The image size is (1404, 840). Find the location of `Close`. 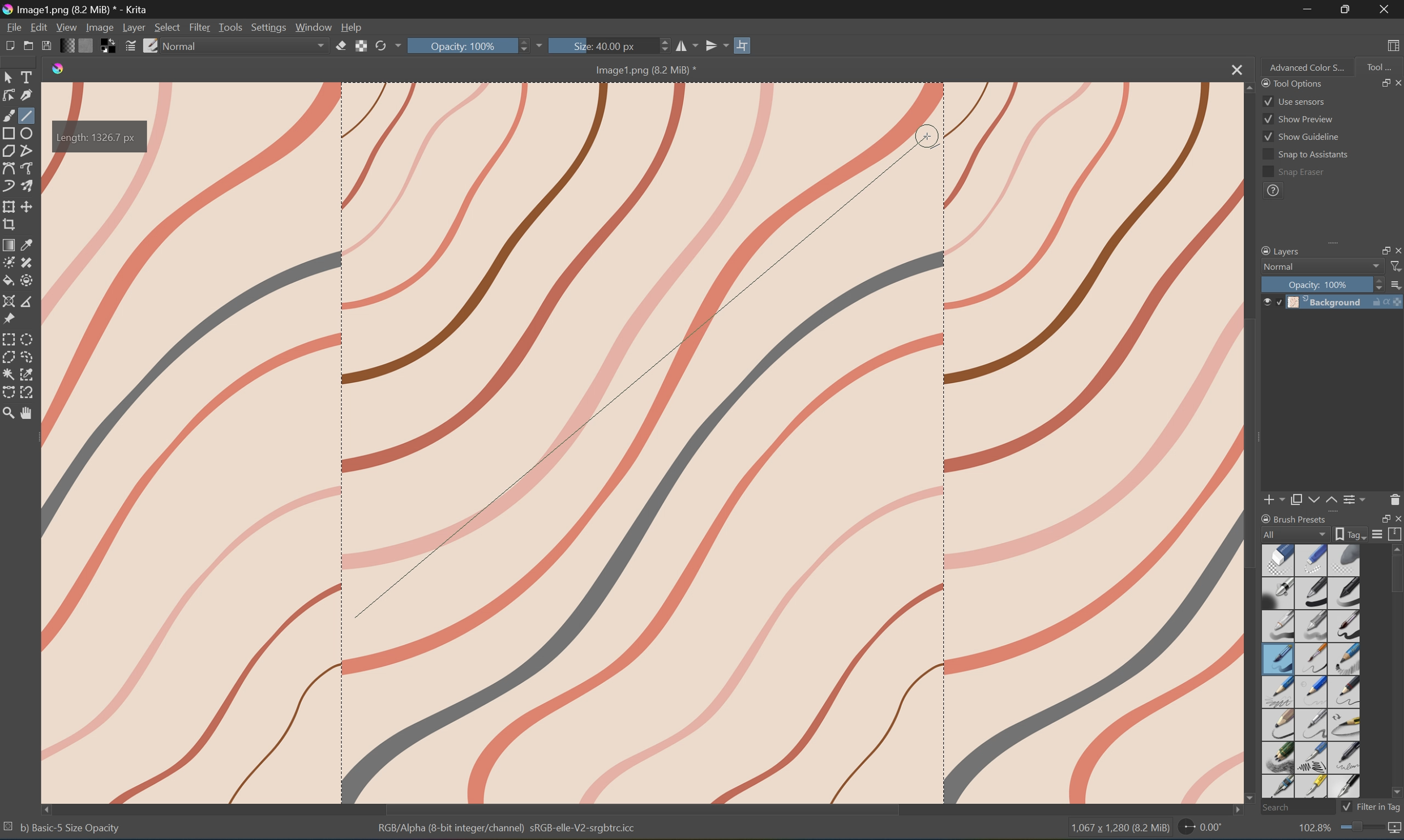

Close is located at coordinates (1234, 70).